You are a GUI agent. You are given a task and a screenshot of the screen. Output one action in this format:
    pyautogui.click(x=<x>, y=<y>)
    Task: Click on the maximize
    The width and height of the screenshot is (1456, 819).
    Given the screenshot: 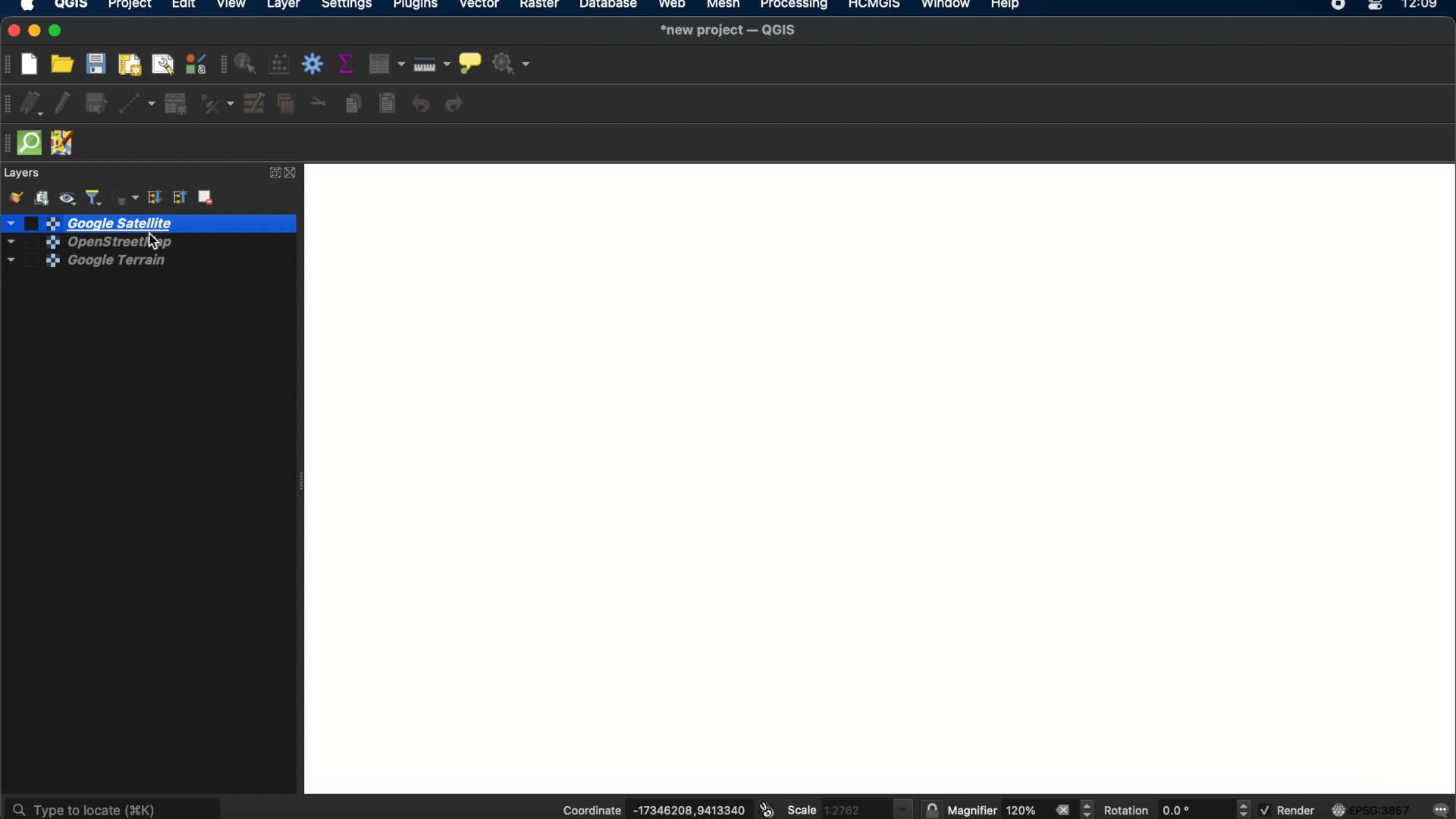 What is the action you would take?
    pyautogui.click(x=58, y=31)
    